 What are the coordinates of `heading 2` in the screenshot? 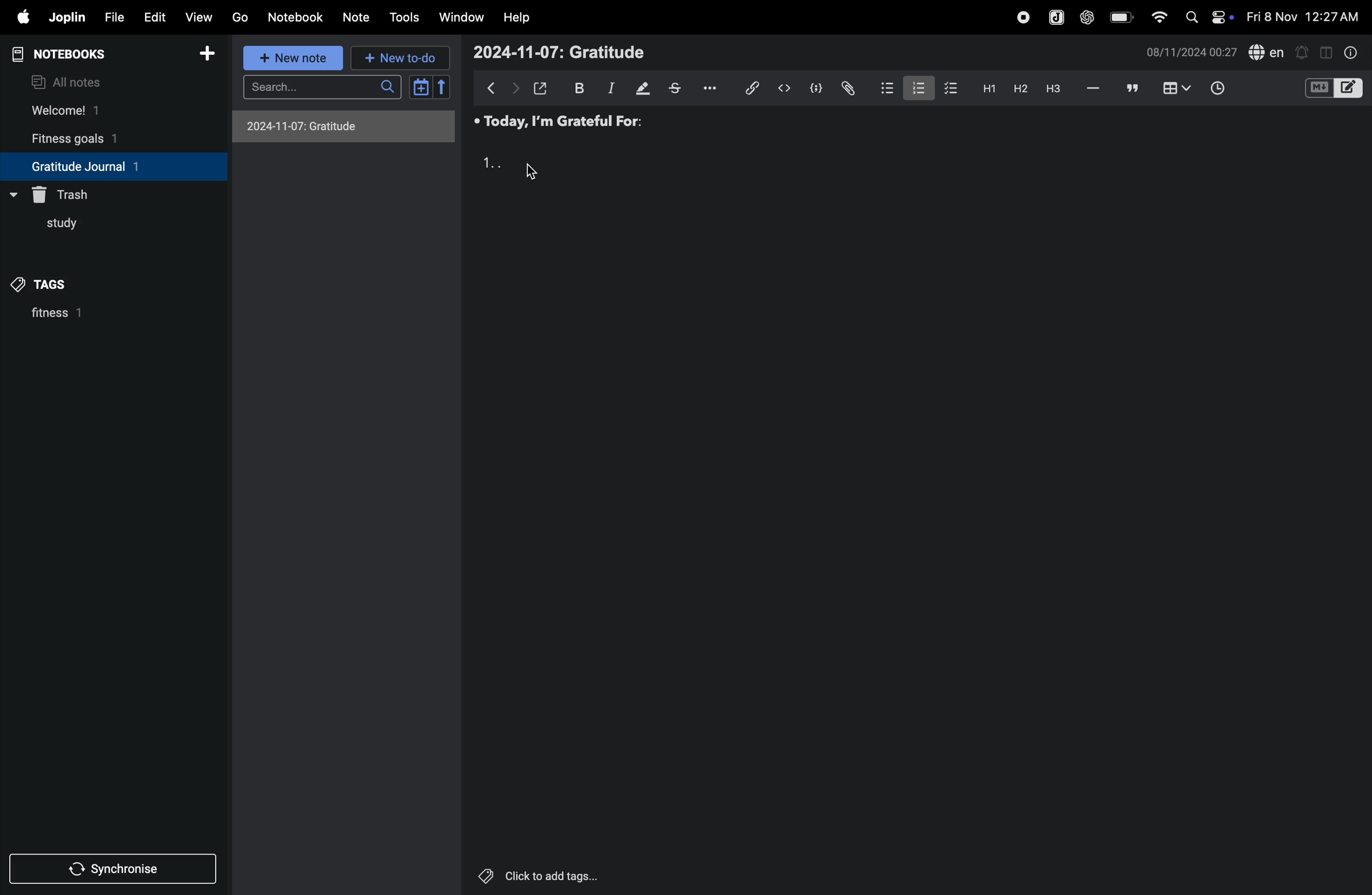 It's located at (1017, 89).